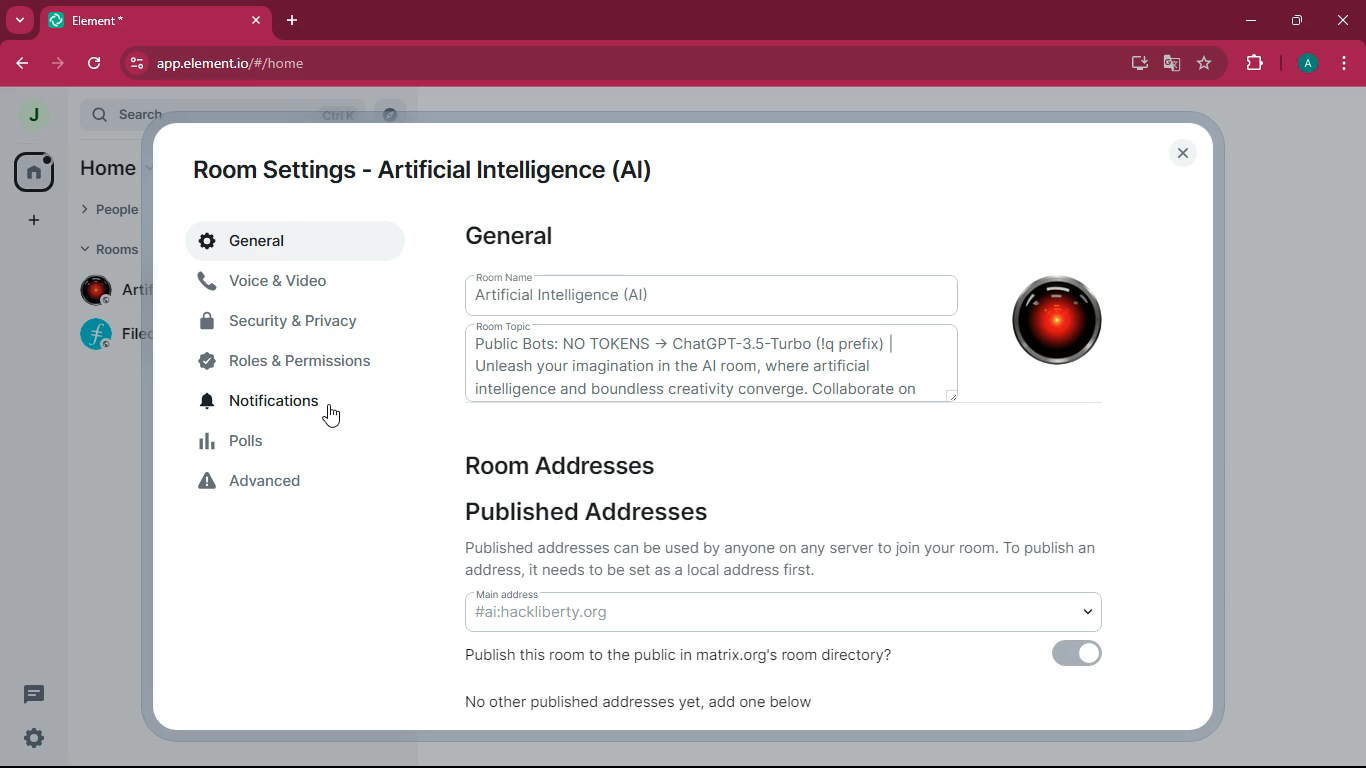  Describe the element at coordinates (295, 402) in the screenshot. I see `notifications` at that location.